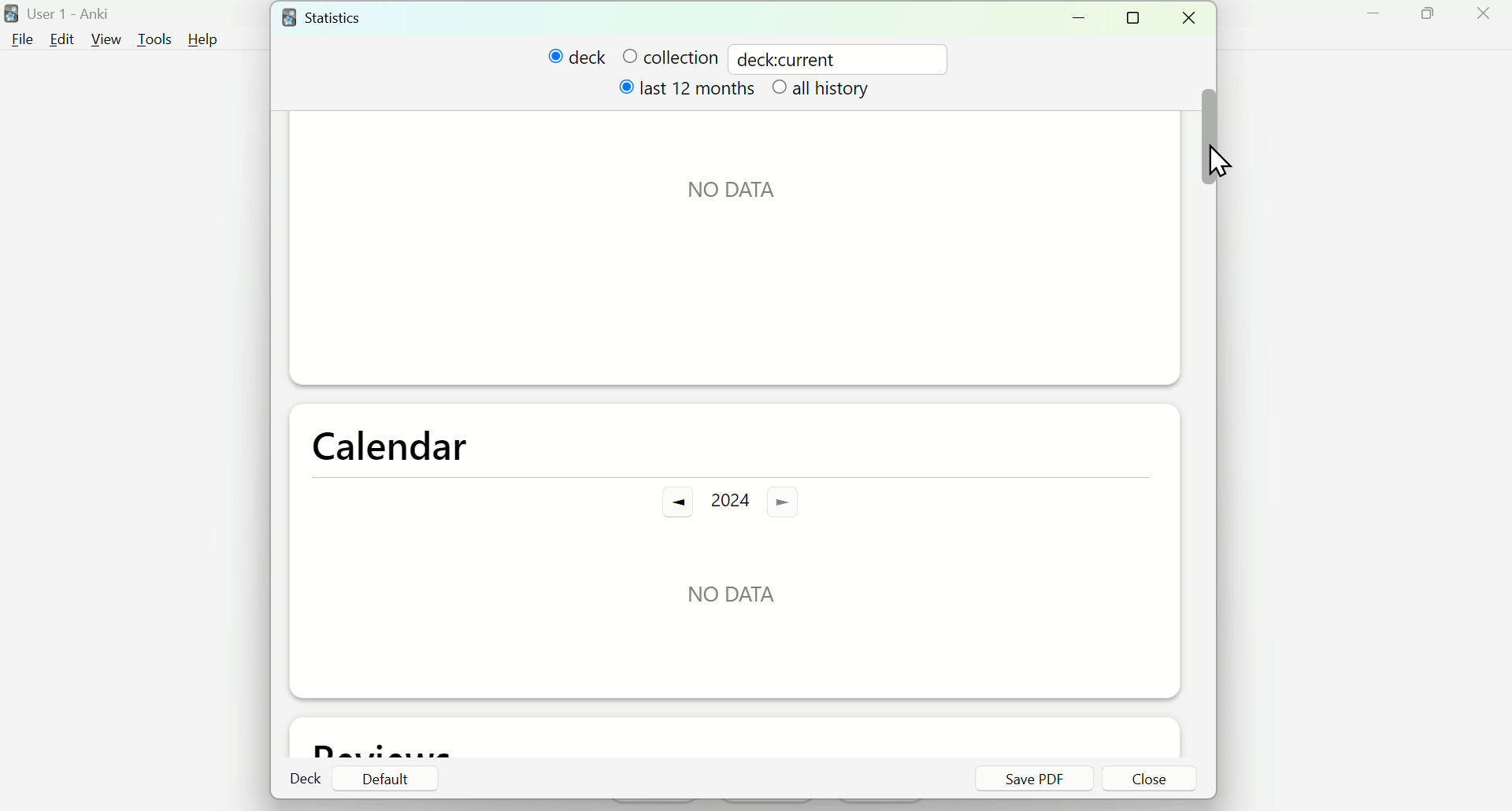  Describe the element at coordinates (339, 17) in the screenshot. I see `Statistics` at that location.